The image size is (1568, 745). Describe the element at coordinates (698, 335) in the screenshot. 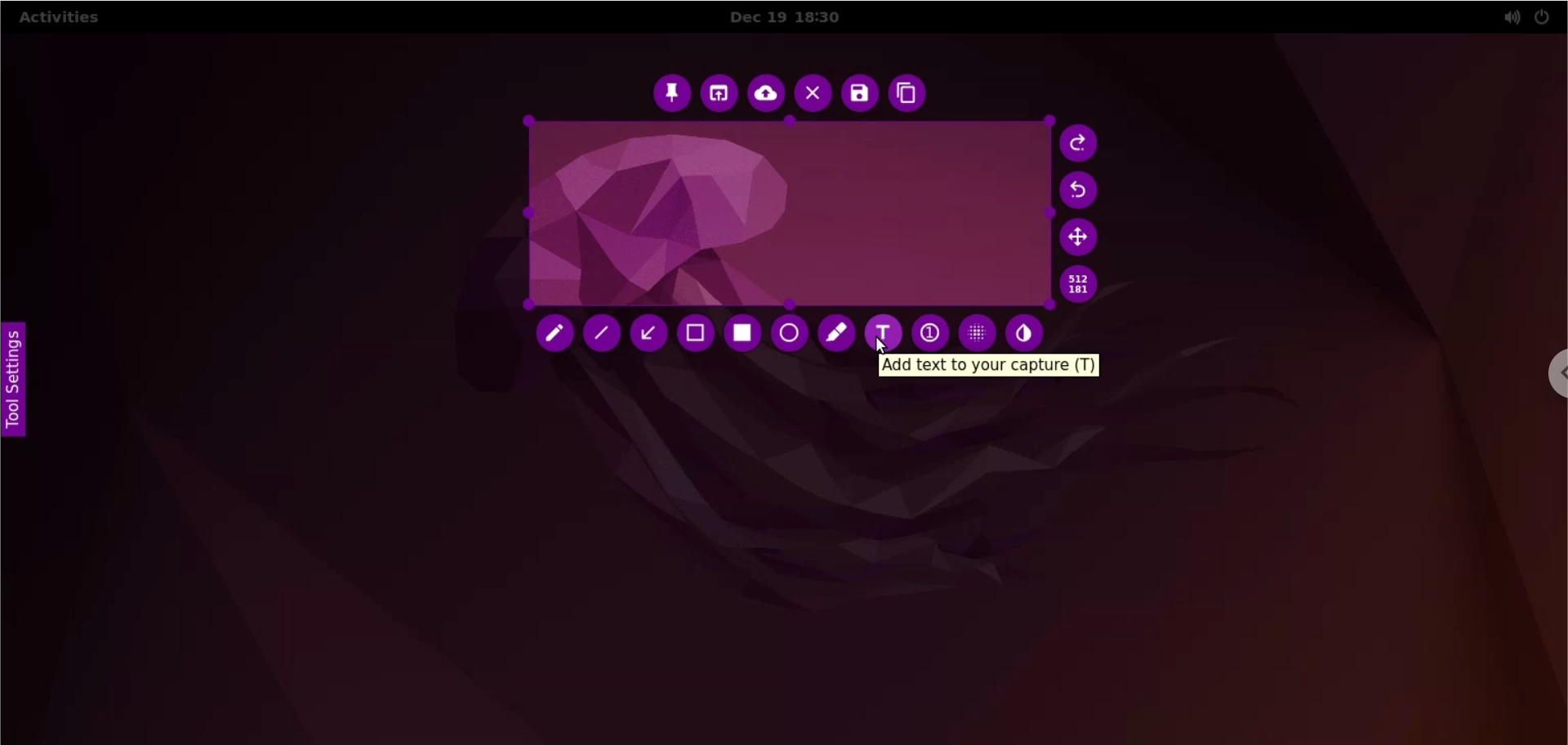

I see `selection tool` at that location.